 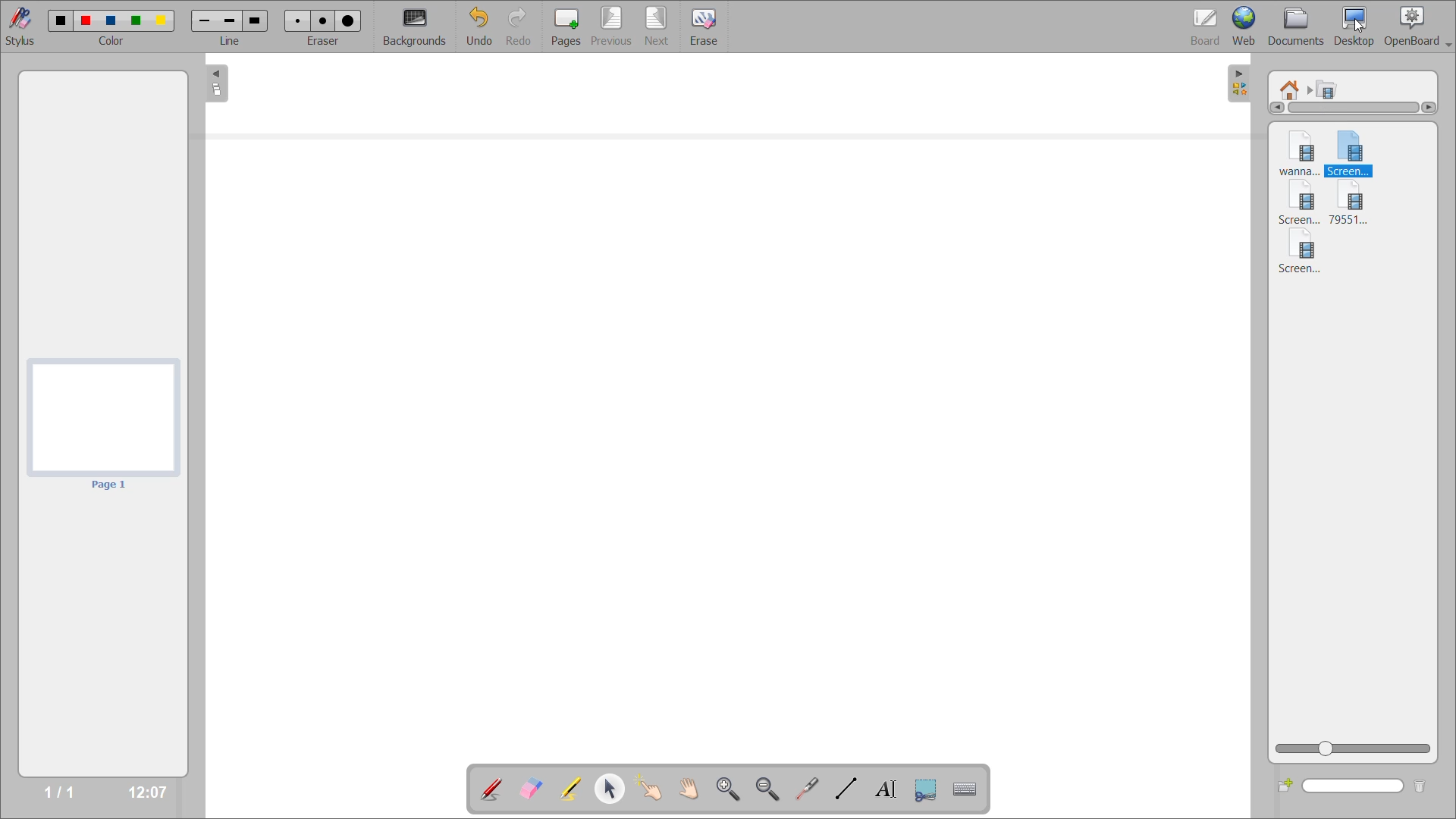 I want to click on stylus, so click(x=24, y=27).